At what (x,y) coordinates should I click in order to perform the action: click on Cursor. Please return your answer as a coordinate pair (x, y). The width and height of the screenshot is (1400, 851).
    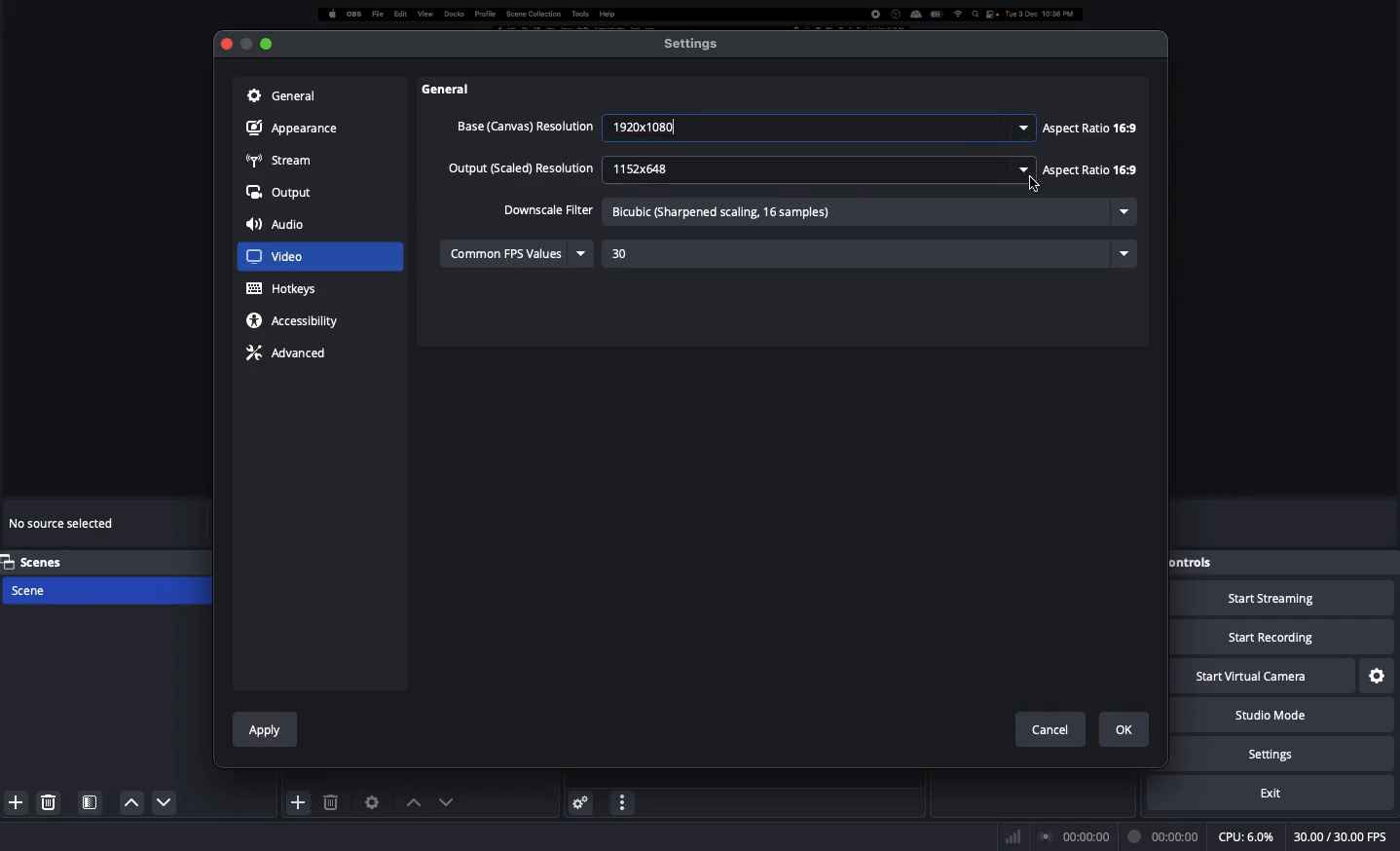
    Looking at the image, I should click on (1028, 183).